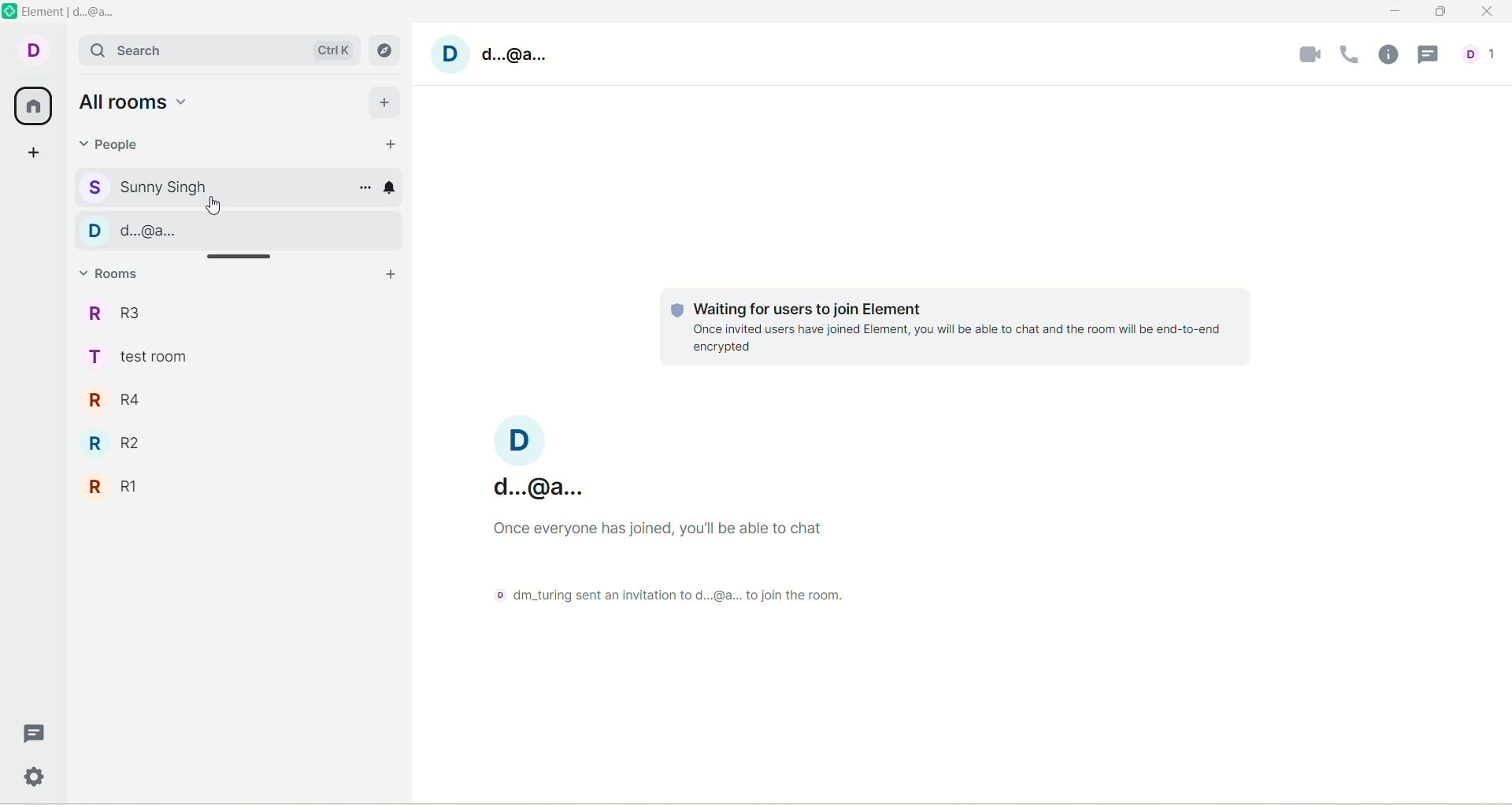 This screenshot has height=805, width=1512. What do you see at coordinates (1395, 12) in the screenshot?
I see `minimize` at bounding box center [1395, 12].